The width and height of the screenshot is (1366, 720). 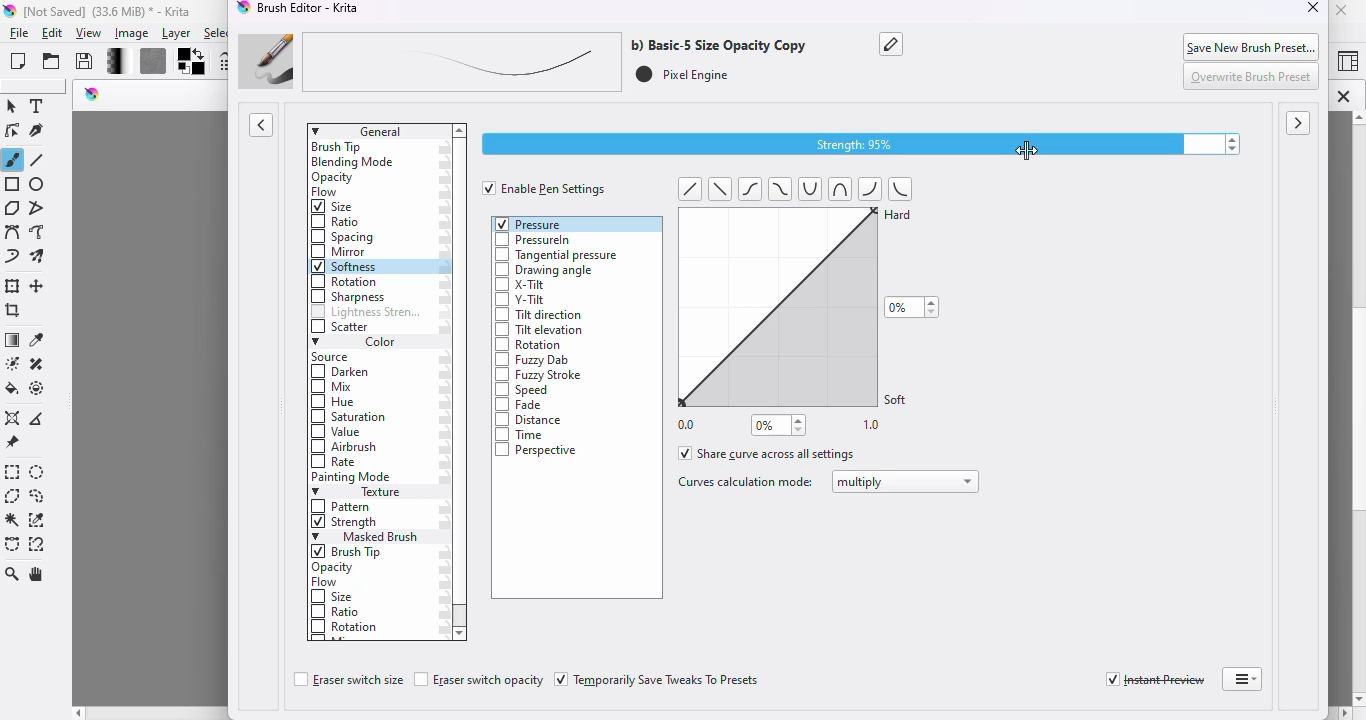 What do you see at coordinates (1314, 9) in the screenshot?
I see `close` at bounding box center [1314, 9].